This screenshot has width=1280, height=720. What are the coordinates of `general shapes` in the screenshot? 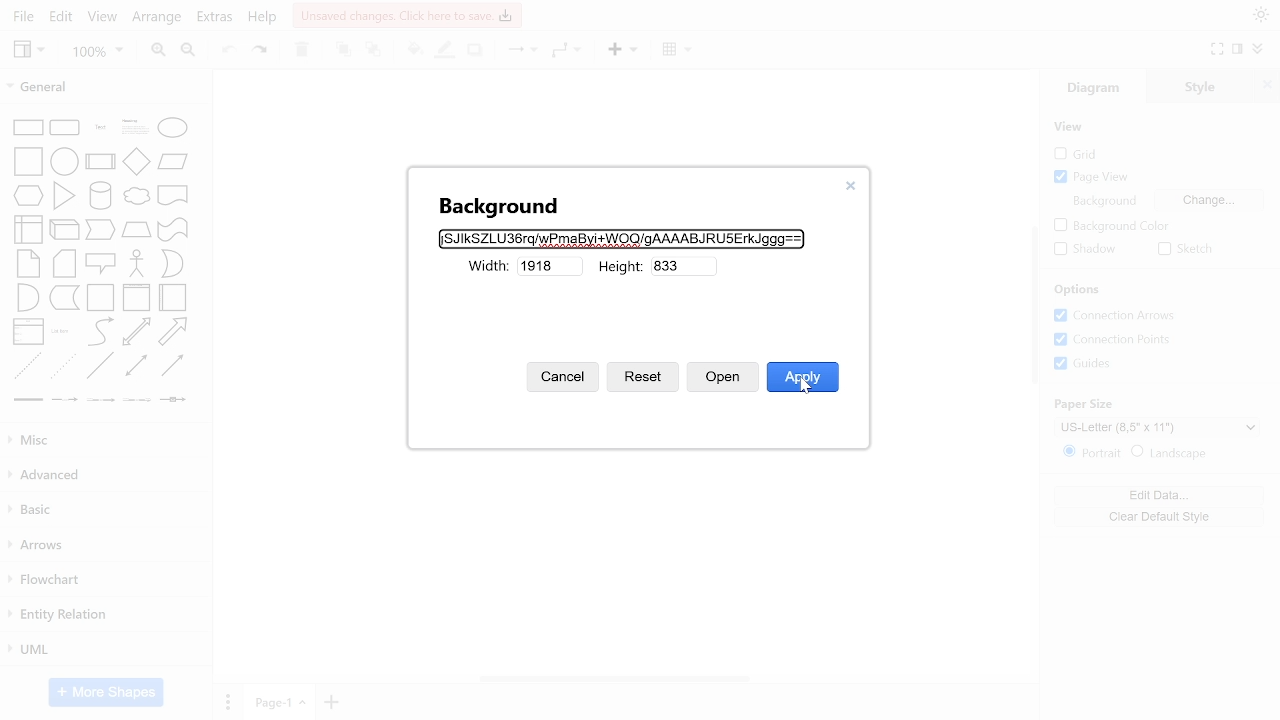 It's located at (173, 264).